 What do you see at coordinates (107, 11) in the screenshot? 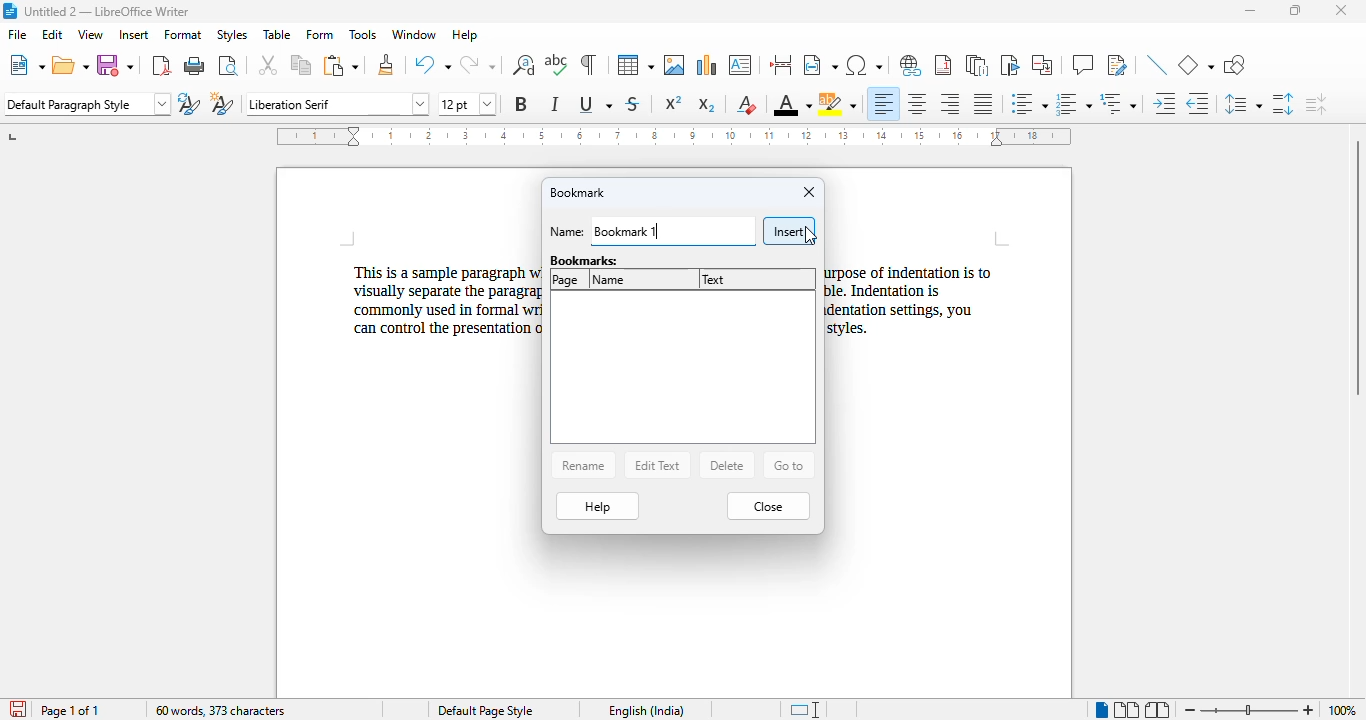
I see `title` at bounding box center [107, 11].